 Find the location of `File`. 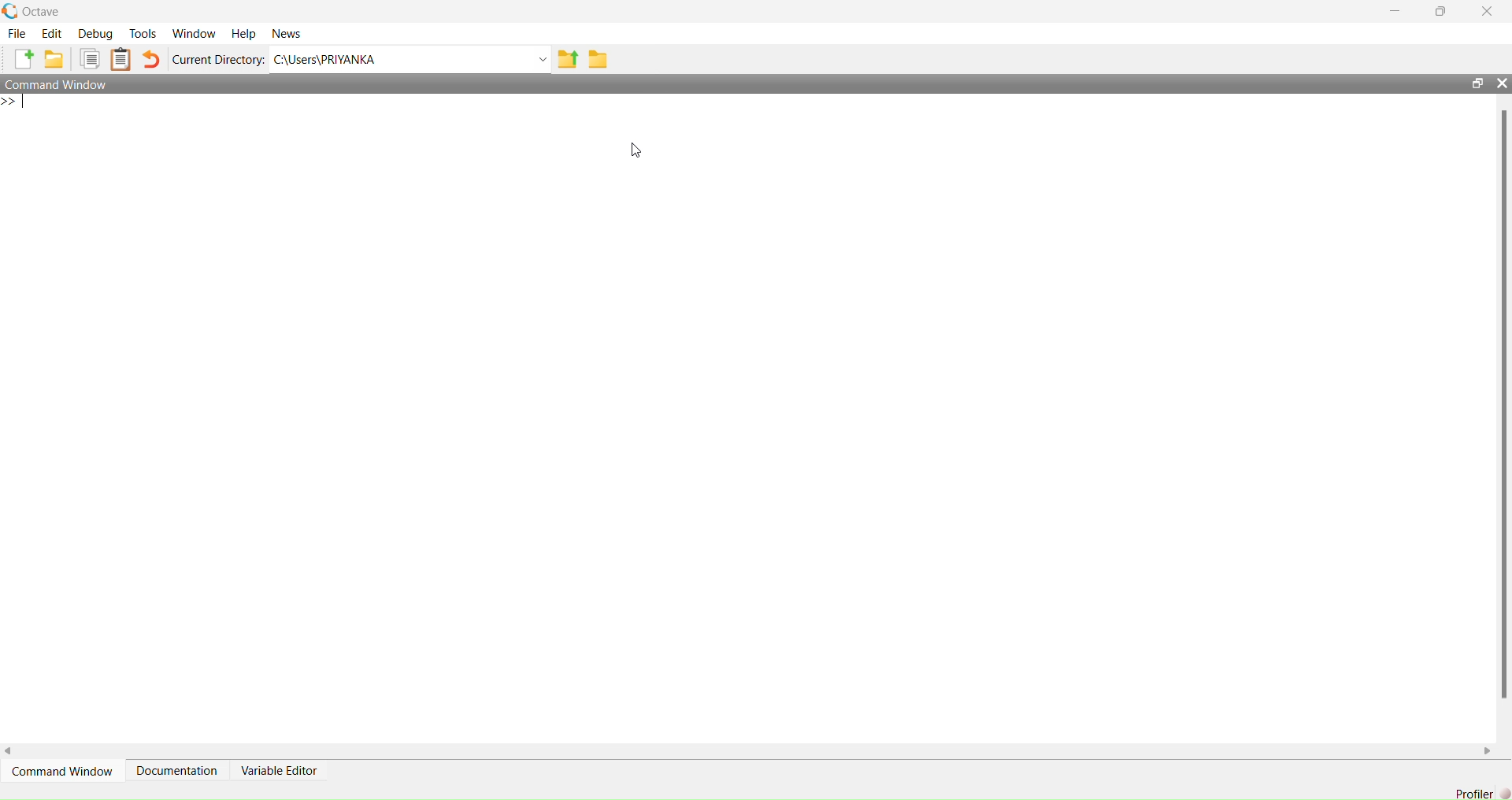

File is located at coordinates (16, 33).